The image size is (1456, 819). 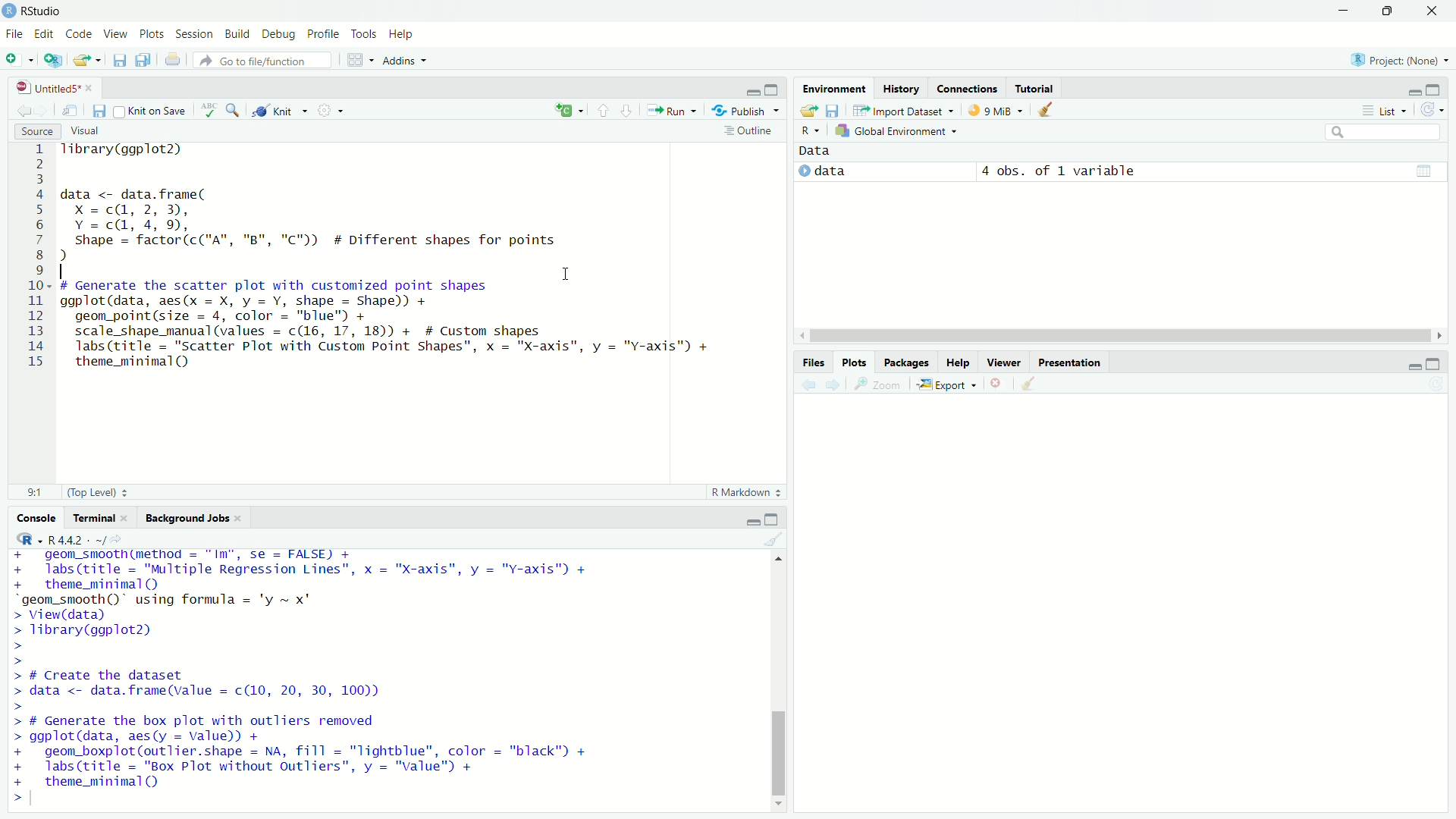 I want to click on 9 MiB, so click(x=996, y=110).